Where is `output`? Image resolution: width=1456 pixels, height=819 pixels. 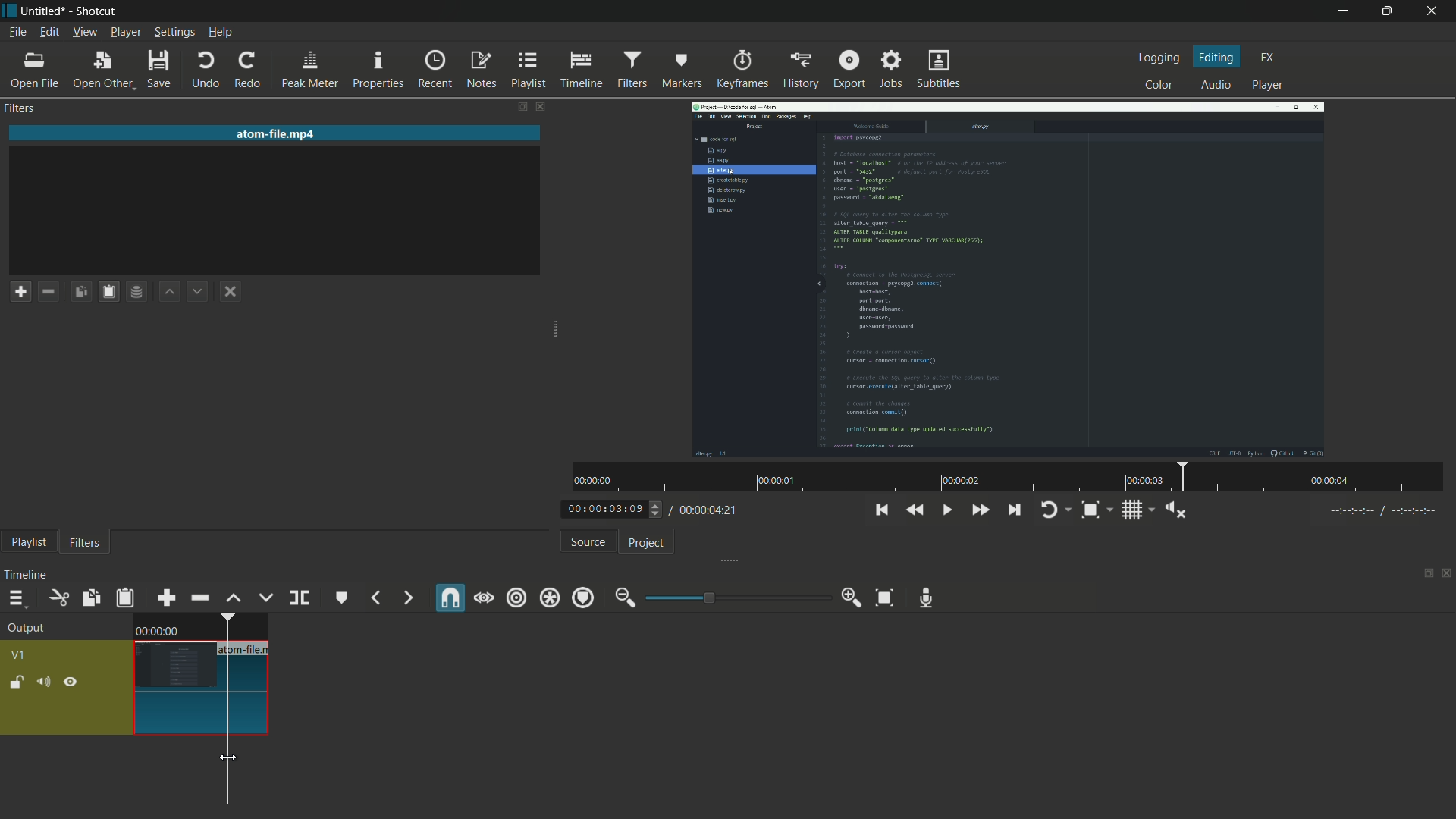 output is located at coordinates (28, 628).